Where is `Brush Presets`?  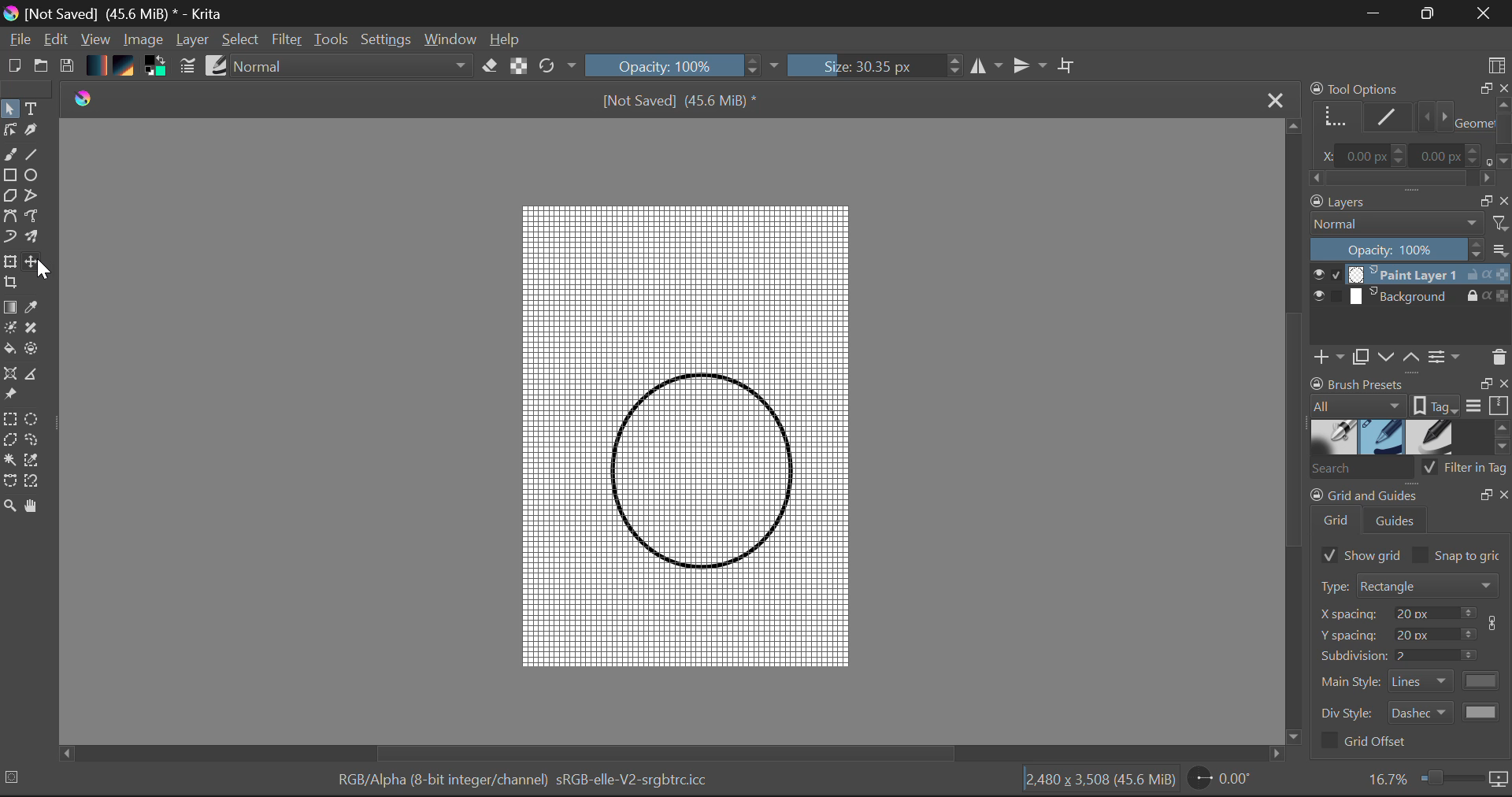 Brush Presets is located at coordinates (1410, 437).